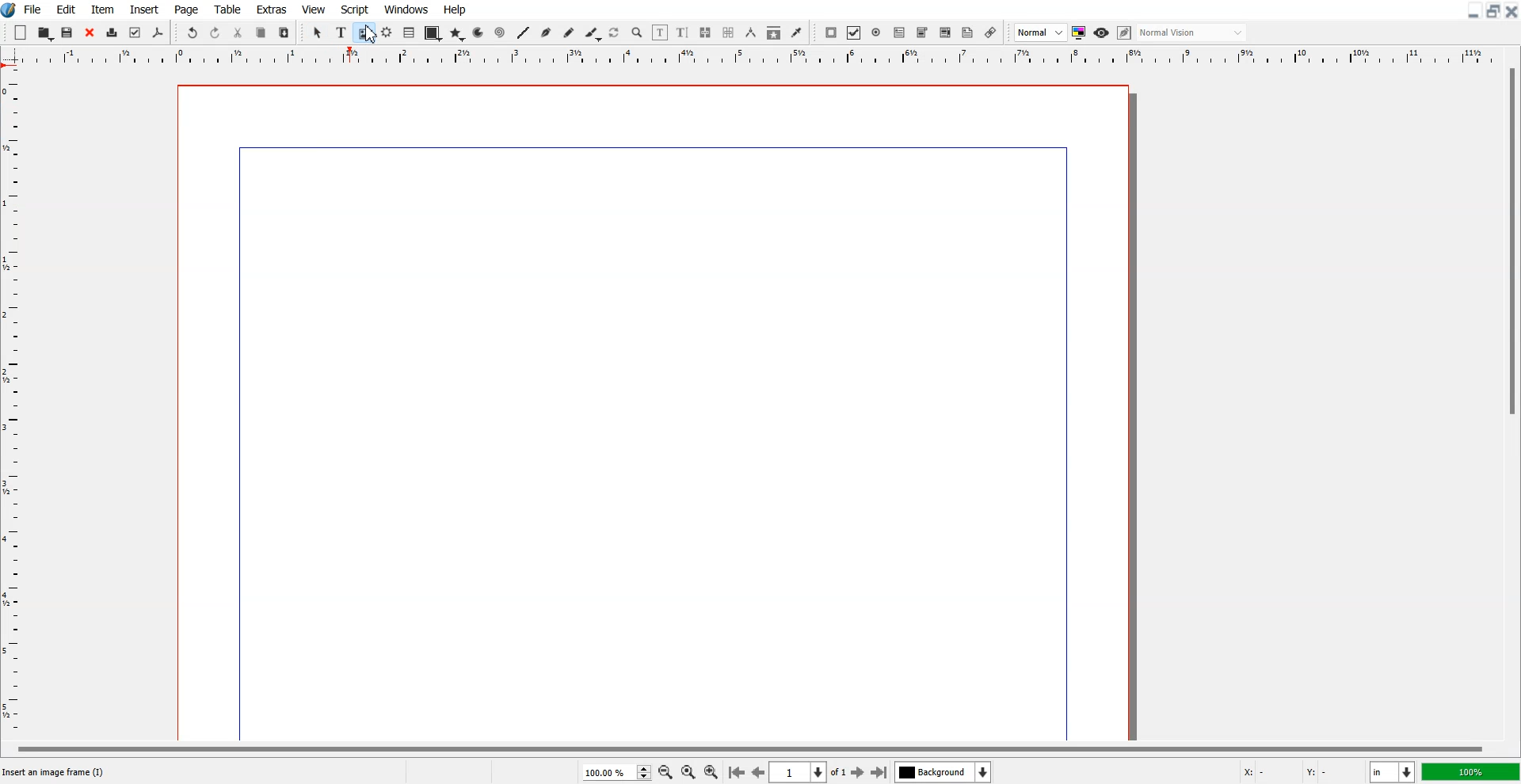 This screenshot has width=1521, height=784. What do you see at coordinates (922, 33) in the screenshot?
I see `PDF Combo Box` at bounding box center [922, 33].